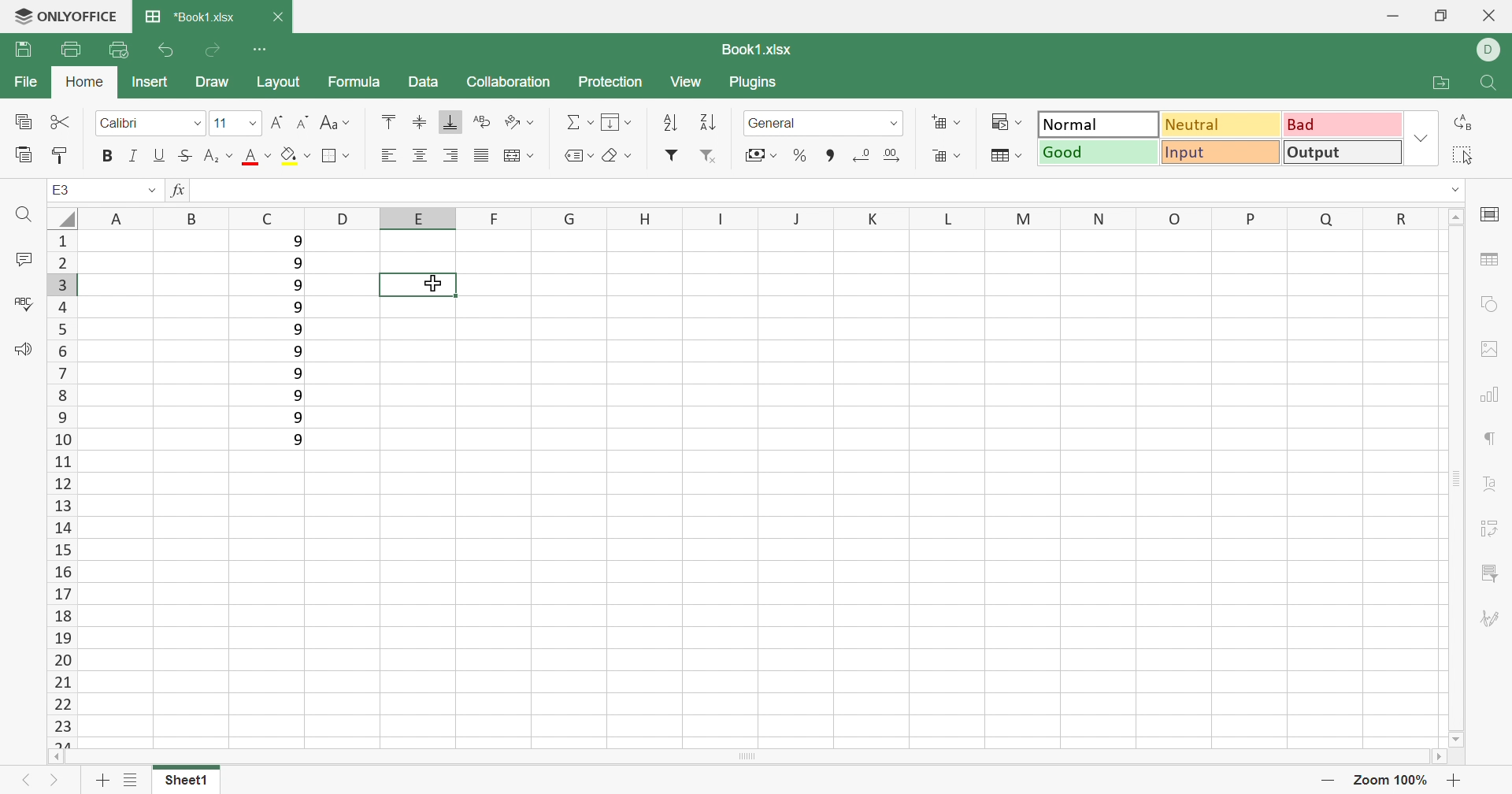  I want to click on 9, so click(298, 283).